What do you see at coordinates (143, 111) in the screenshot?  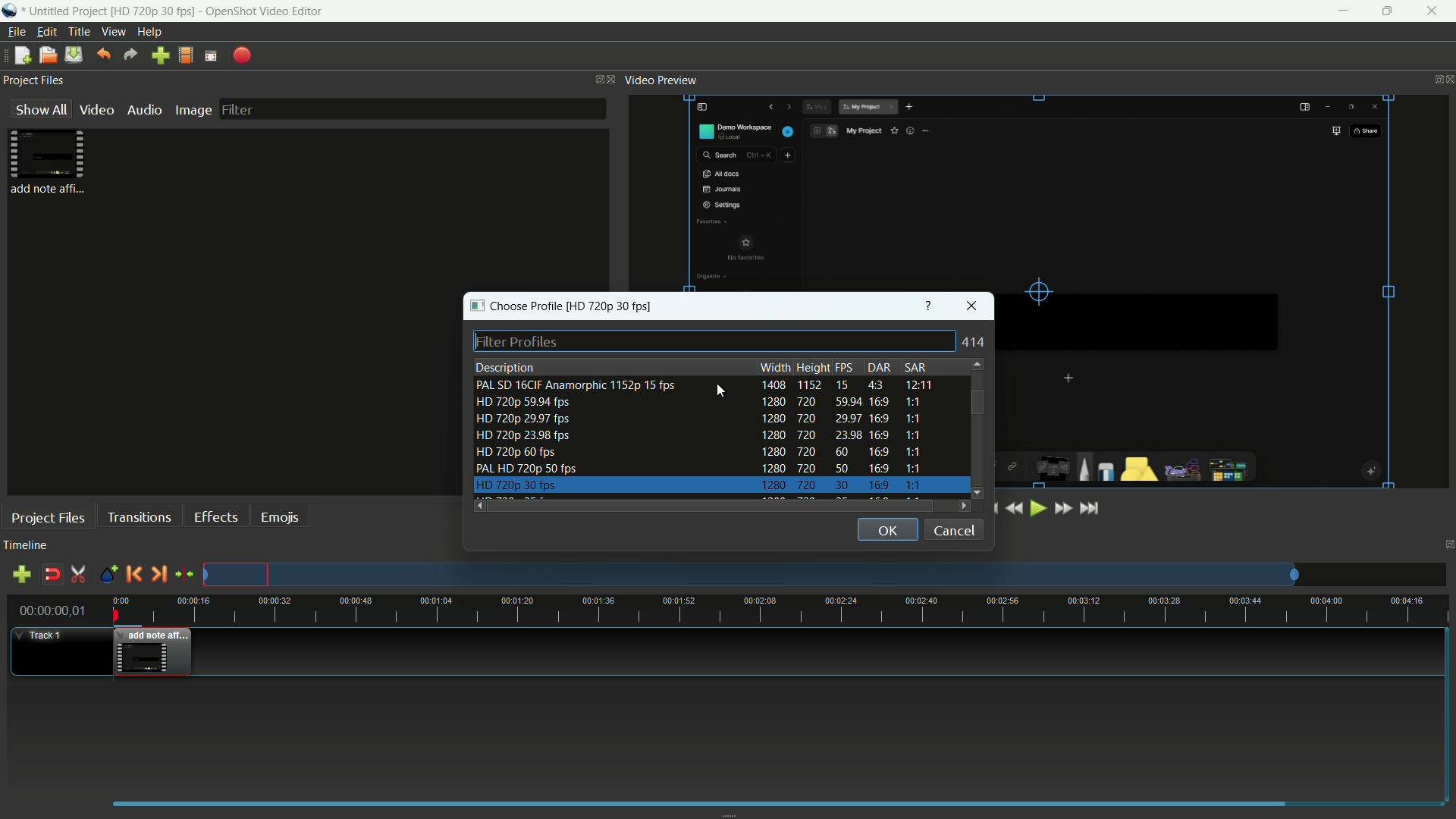 I see `audio` at bounding box center [143, 111].